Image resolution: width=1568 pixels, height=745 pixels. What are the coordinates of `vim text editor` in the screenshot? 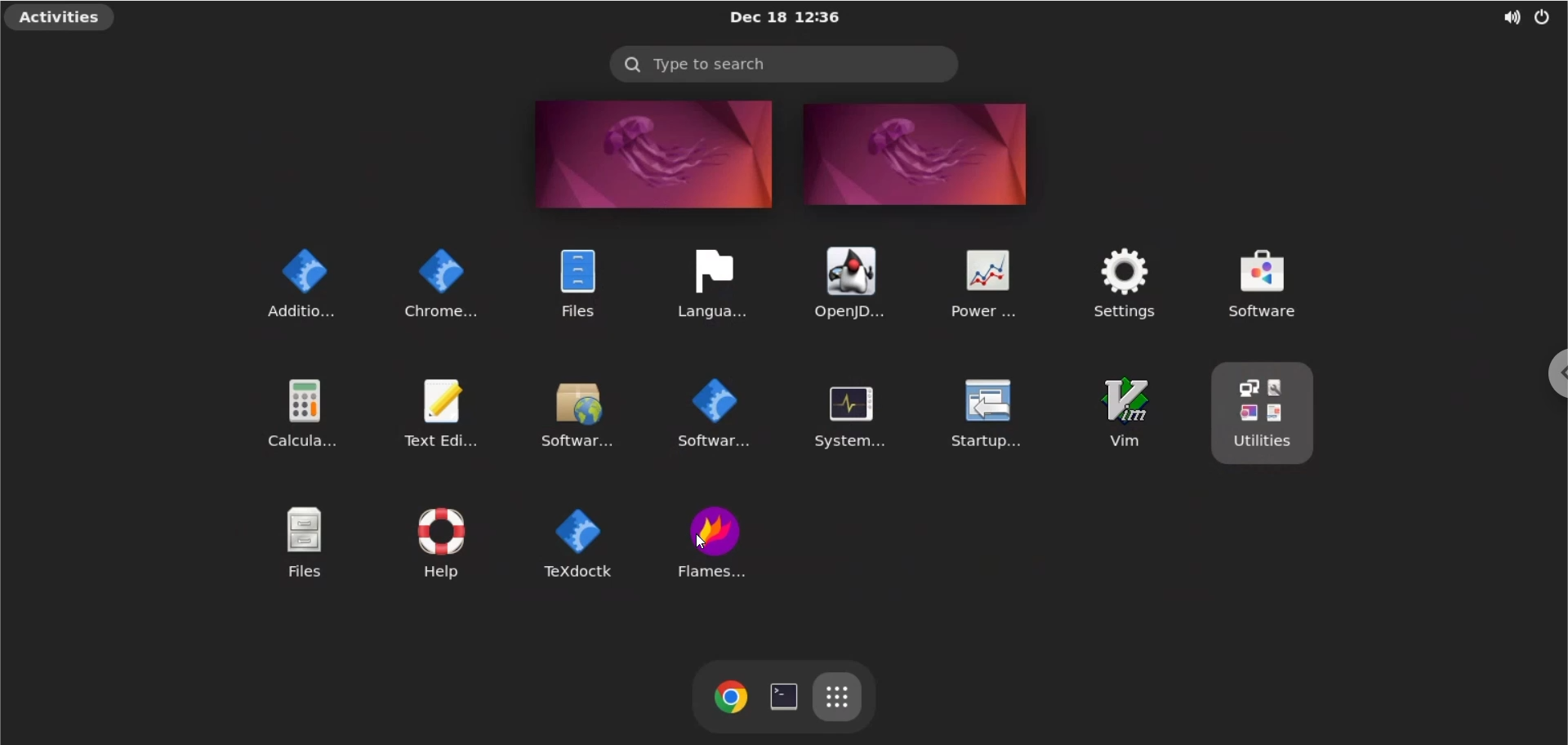 It's located at (1120, 415).